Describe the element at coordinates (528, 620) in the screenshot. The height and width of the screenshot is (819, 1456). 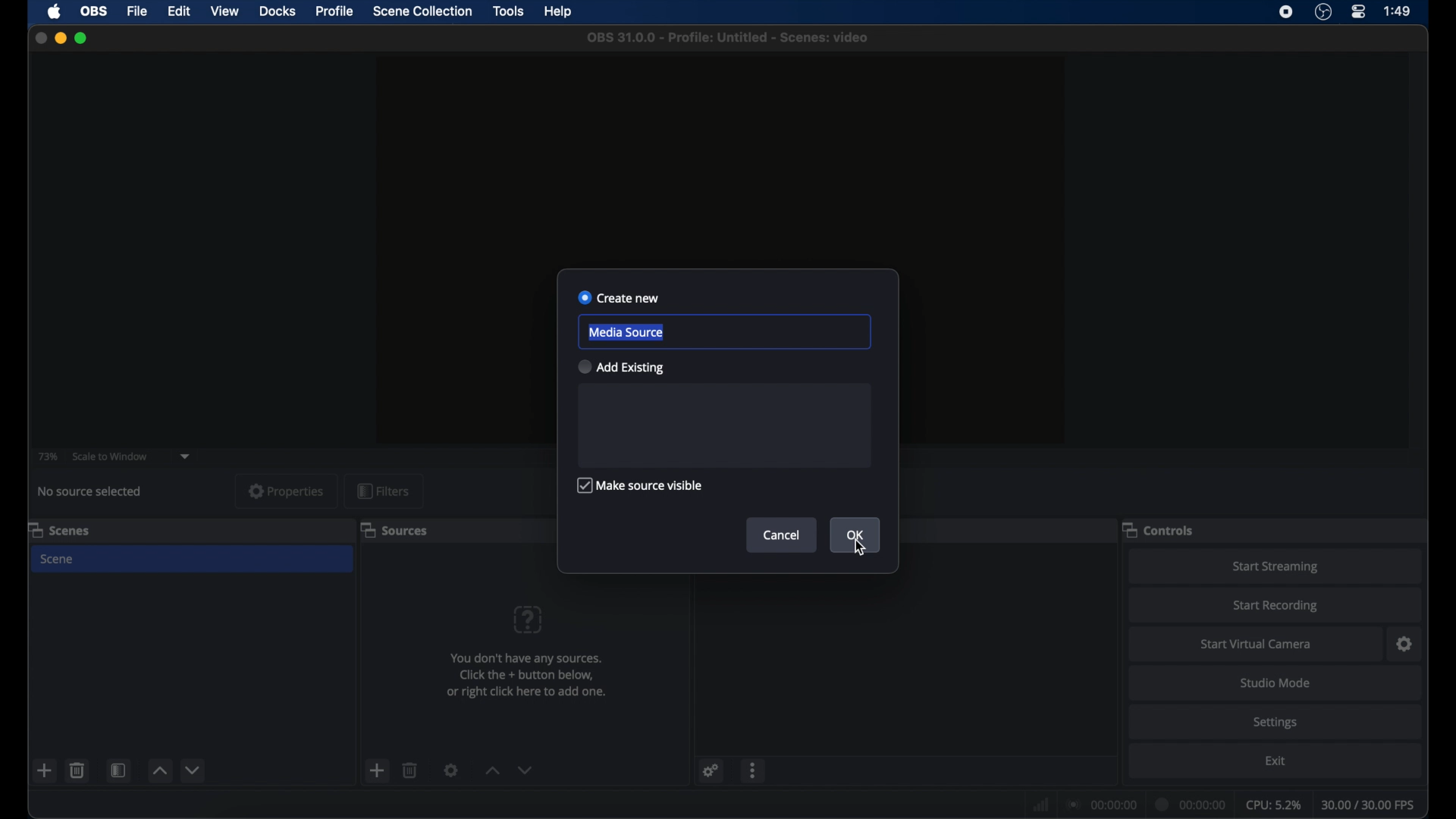
I see `icon` at that location.